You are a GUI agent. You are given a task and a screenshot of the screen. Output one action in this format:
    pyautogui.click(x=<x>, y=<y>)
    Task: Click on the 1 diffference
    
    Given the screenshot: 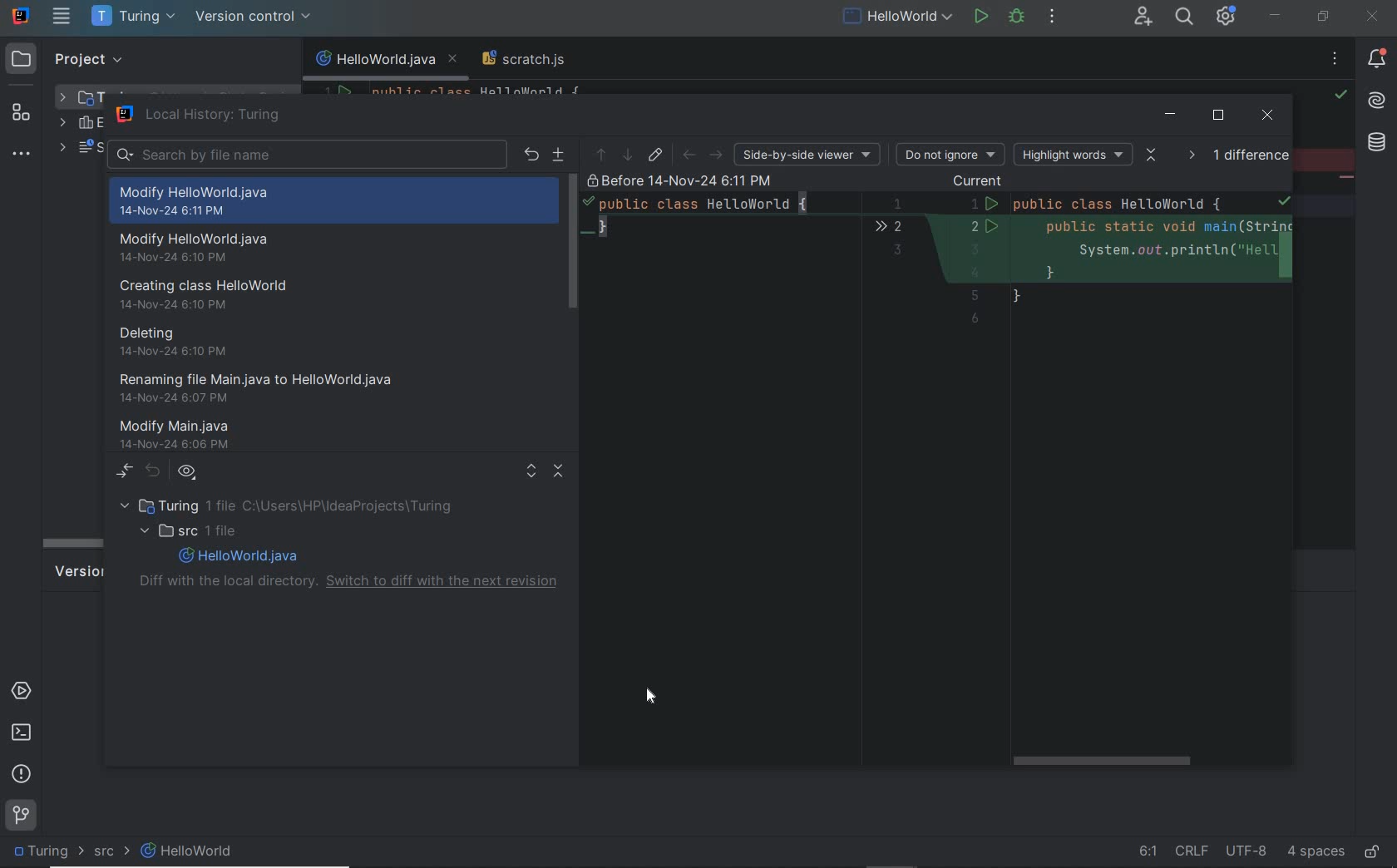 What is the action you would take?
    pyautogui.click(x=1242, y=155)
    